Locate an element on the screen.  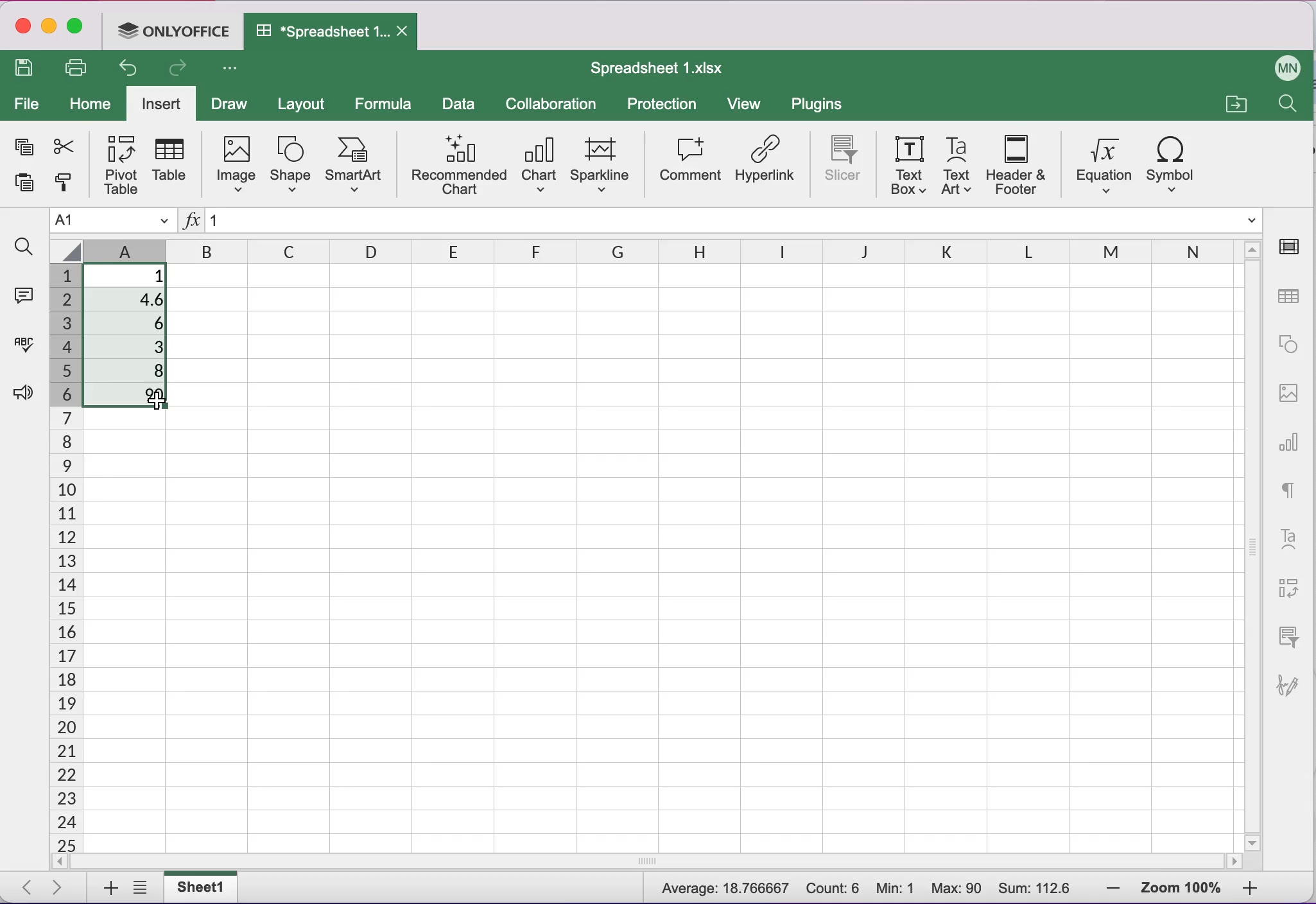
8 is located at coordinates (134, 369).